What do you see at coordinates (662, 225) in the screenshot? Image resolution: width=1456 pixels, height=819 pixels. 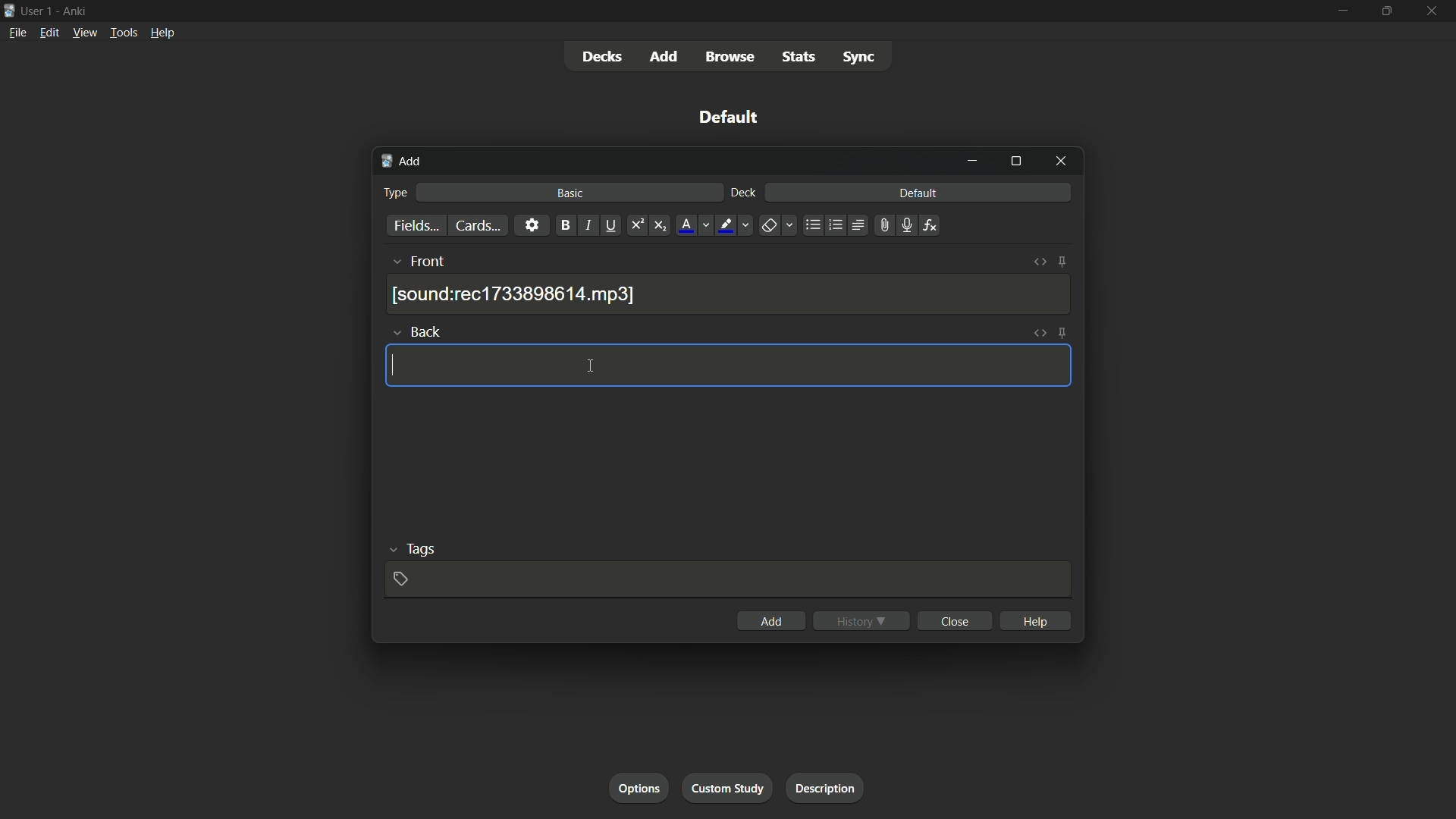 I see `subscript` at bounding box center [662, 225].